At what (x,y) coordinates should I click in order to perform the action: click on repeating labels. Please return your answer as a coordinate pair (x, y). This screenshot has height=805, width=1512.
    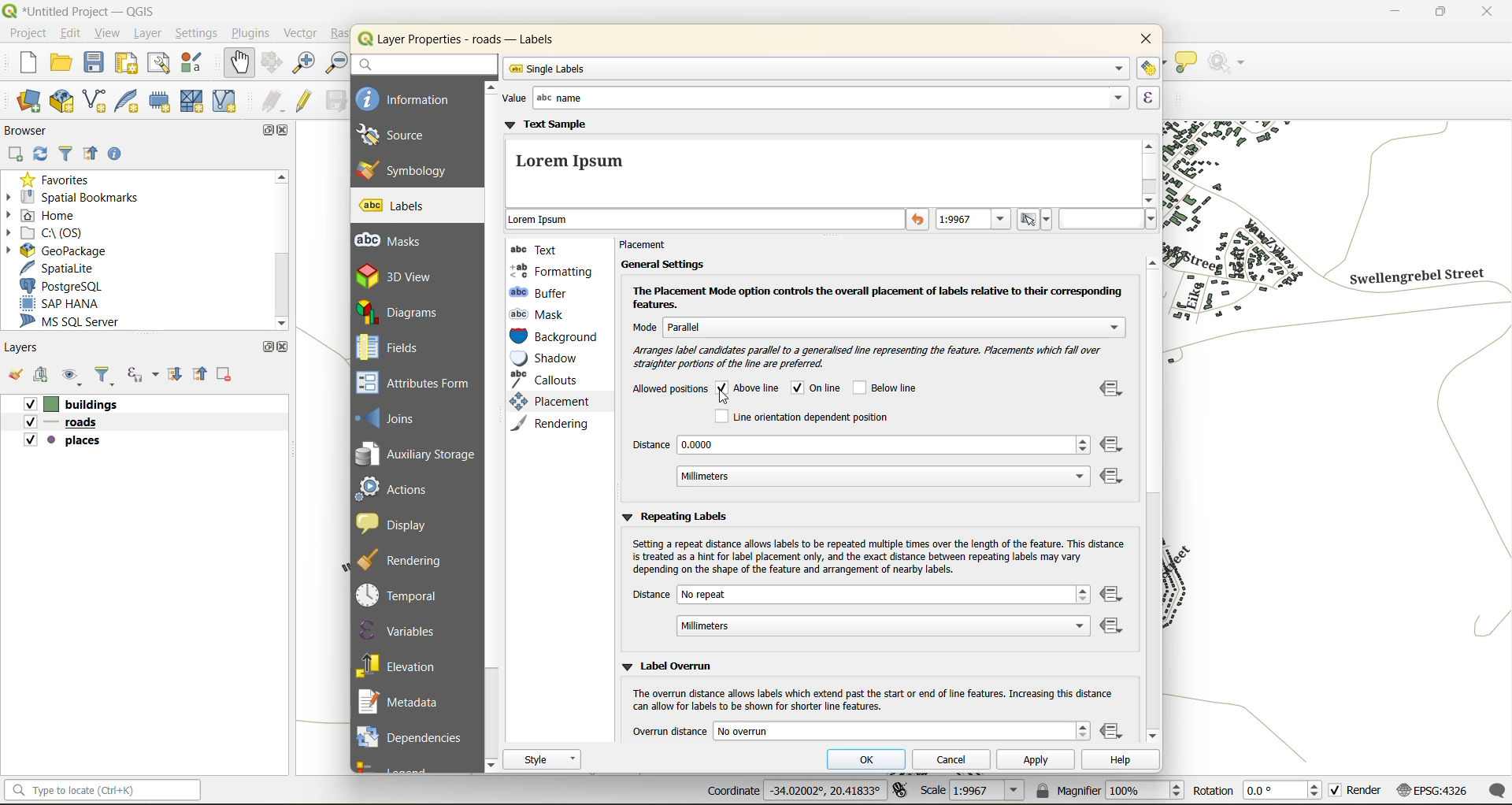
    Looking at the image, I should click on (673, 515).